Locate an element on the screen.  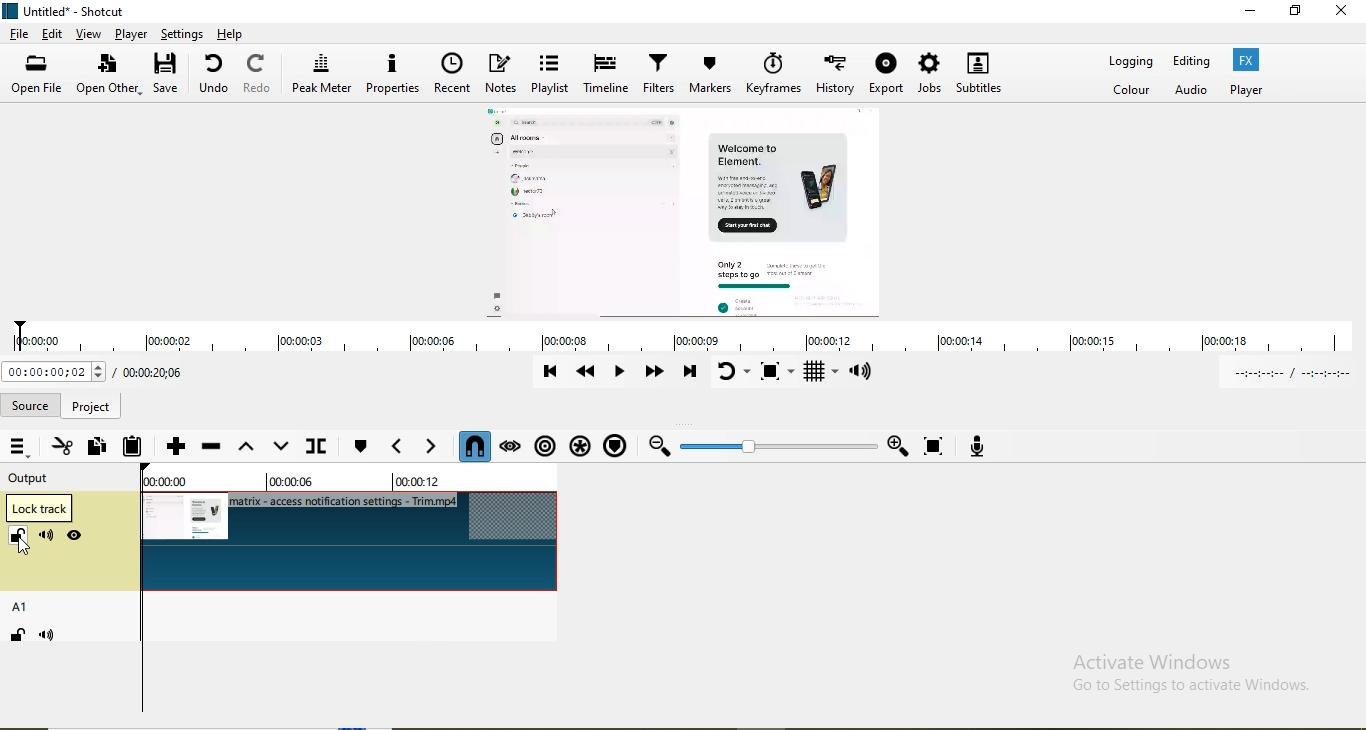
Zoom slider is located at coordinates (778, 447).